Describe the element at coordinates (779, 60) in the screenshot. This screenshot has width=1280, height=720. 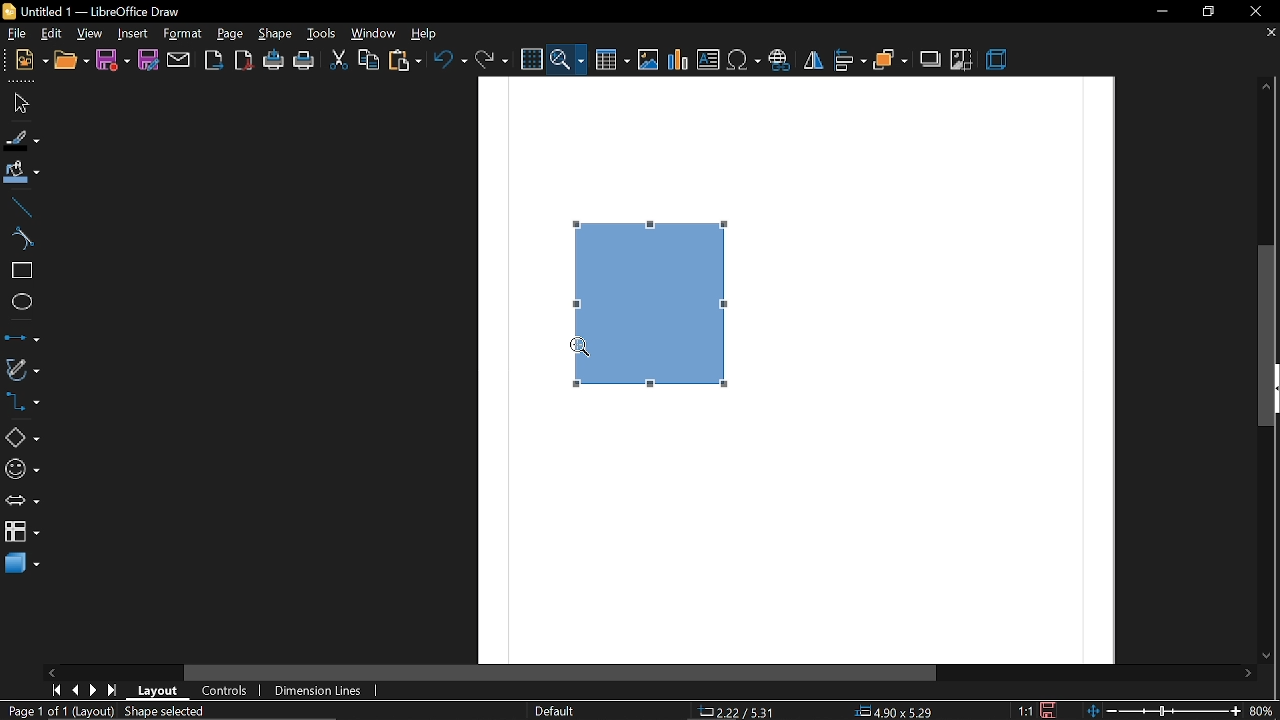
I see `Insert hyperlink` at that location.